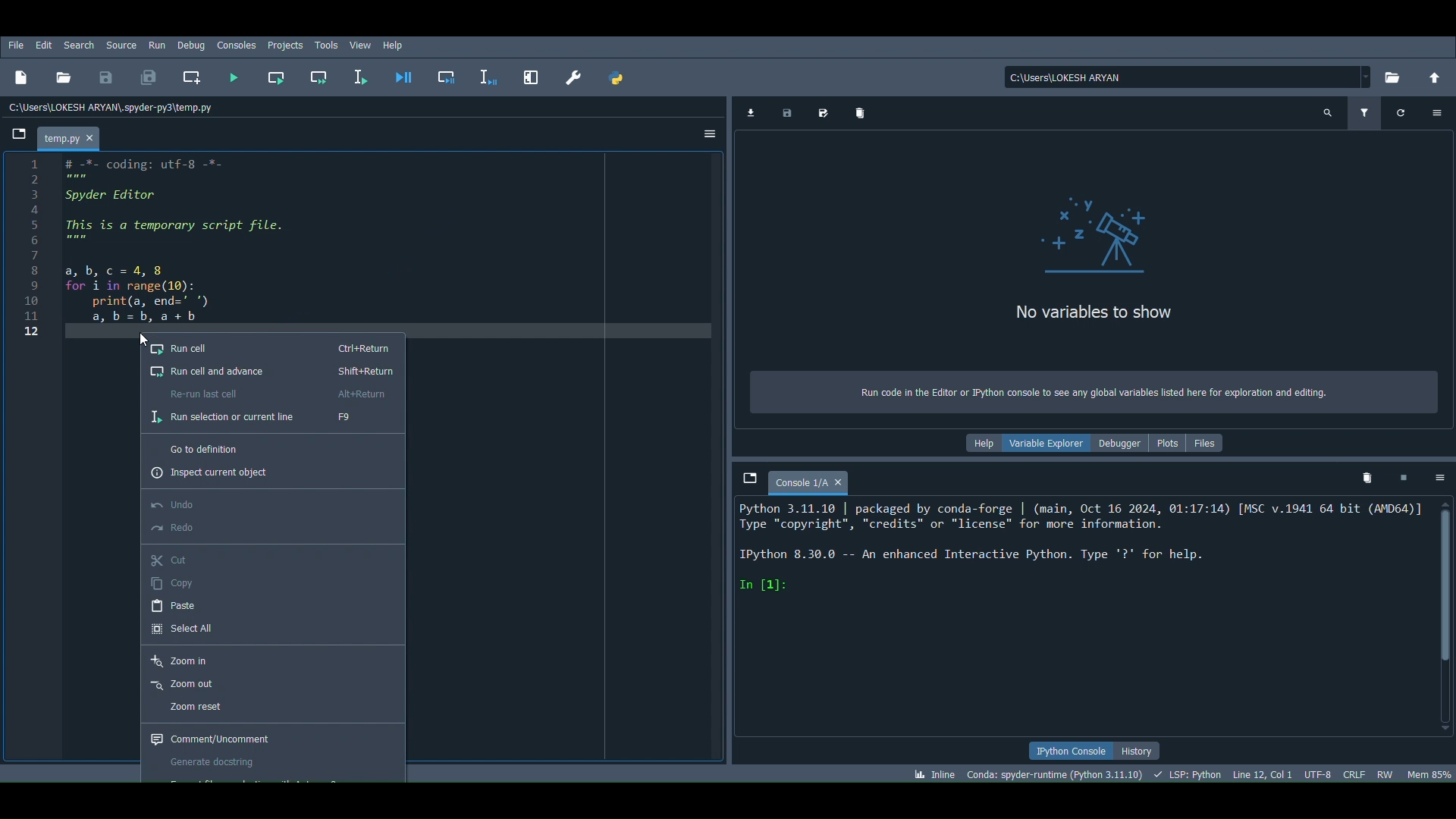 This screenshot has width=1456, height=819. I want to click on Global memory usage, so click(1428, 774).